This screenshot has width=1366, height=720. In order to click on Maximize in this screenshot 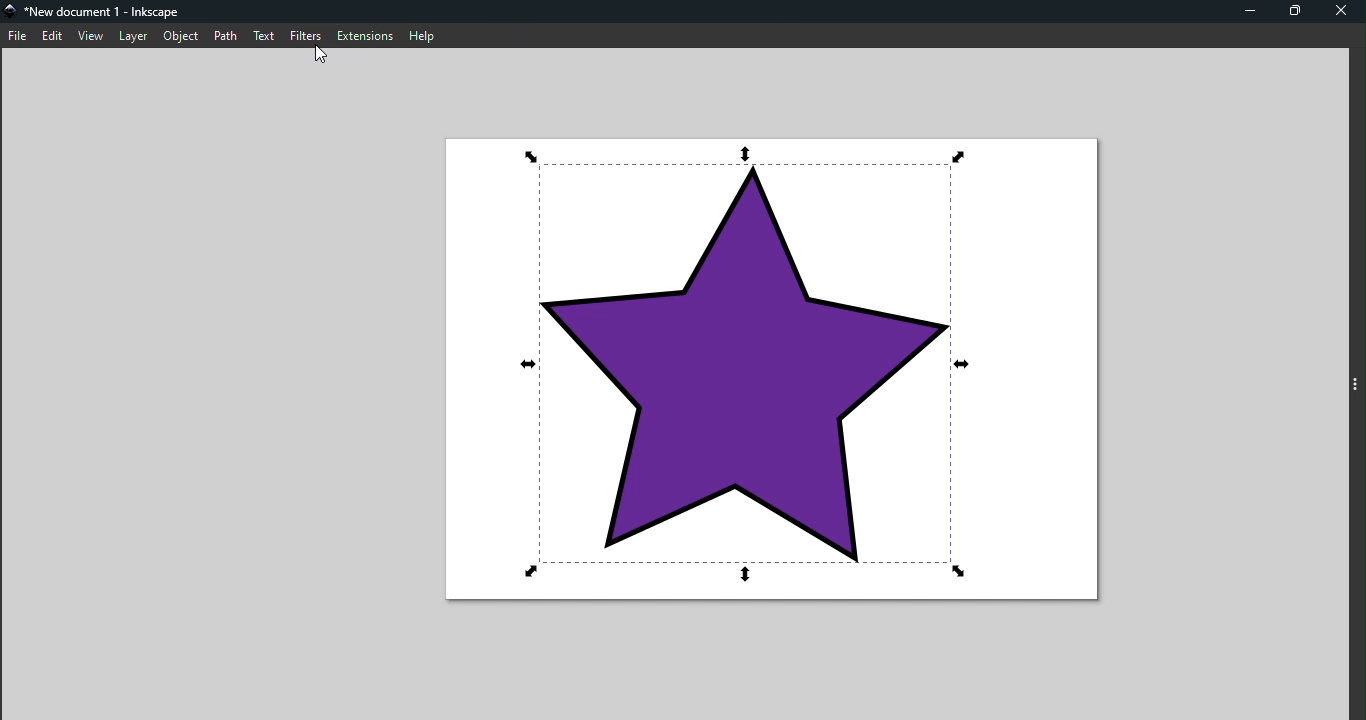, I will do `click(1293, 13)`.